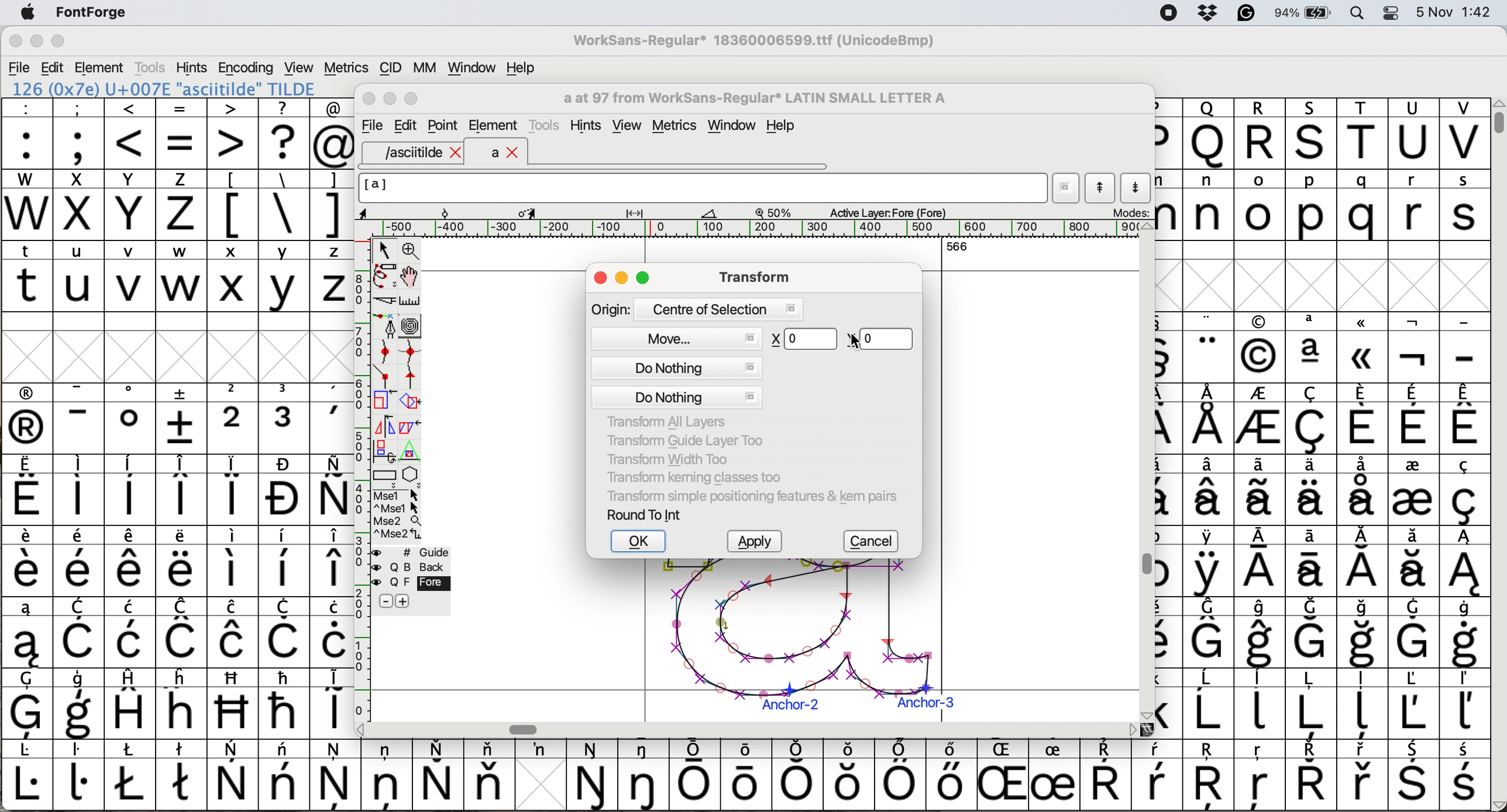 This screenshot has height=812, width=1507. What do you see at coordinates (332, 419) in the screenshot?
I see `symbol` at bounding box center [332, 419].